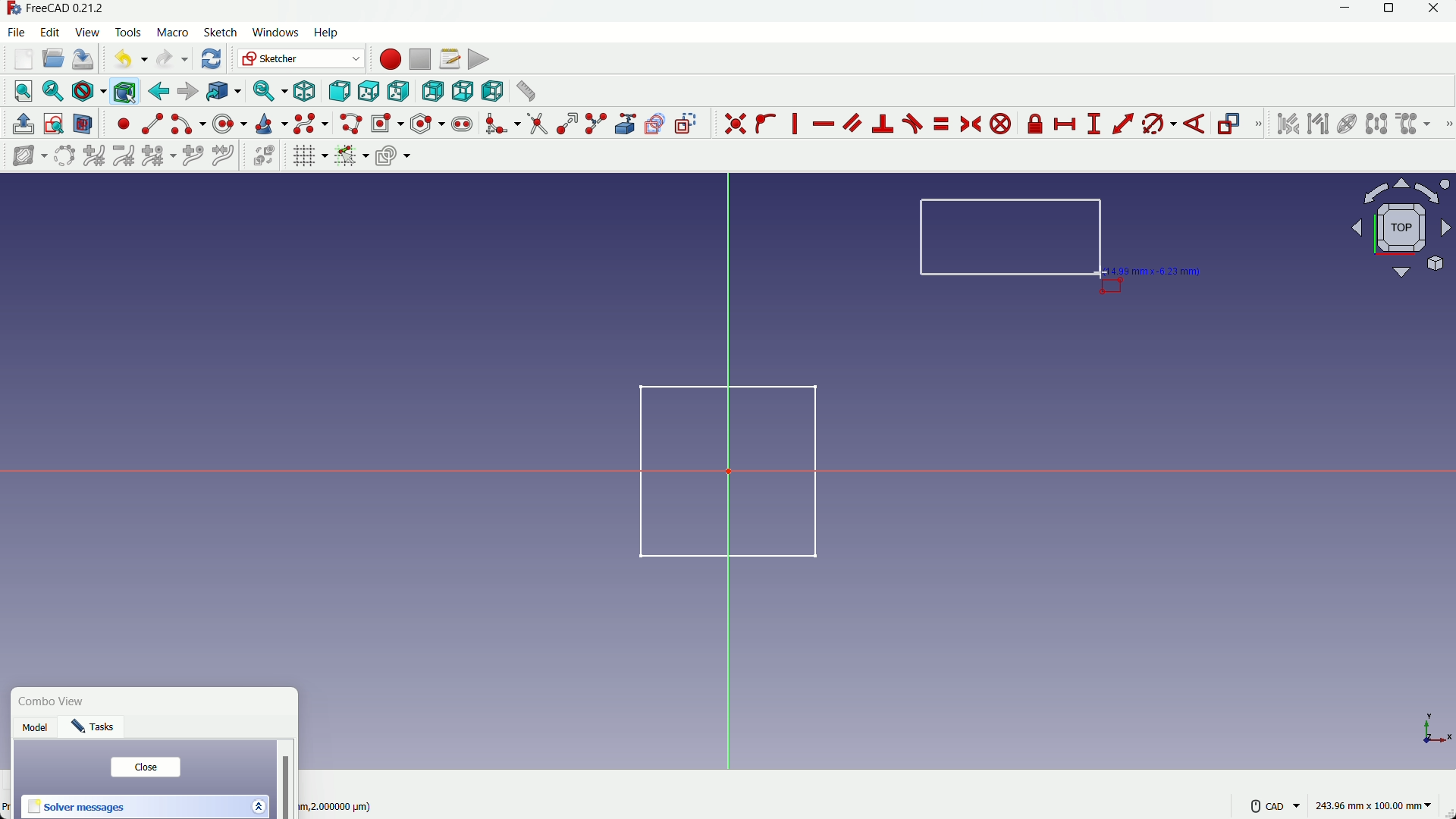 Image resolution: width=1456 pixels, height=819 pixels. What do you see at coordinates (1432, 726) in the screenshot?
I see `axis` at bounding box center [1432, 726].